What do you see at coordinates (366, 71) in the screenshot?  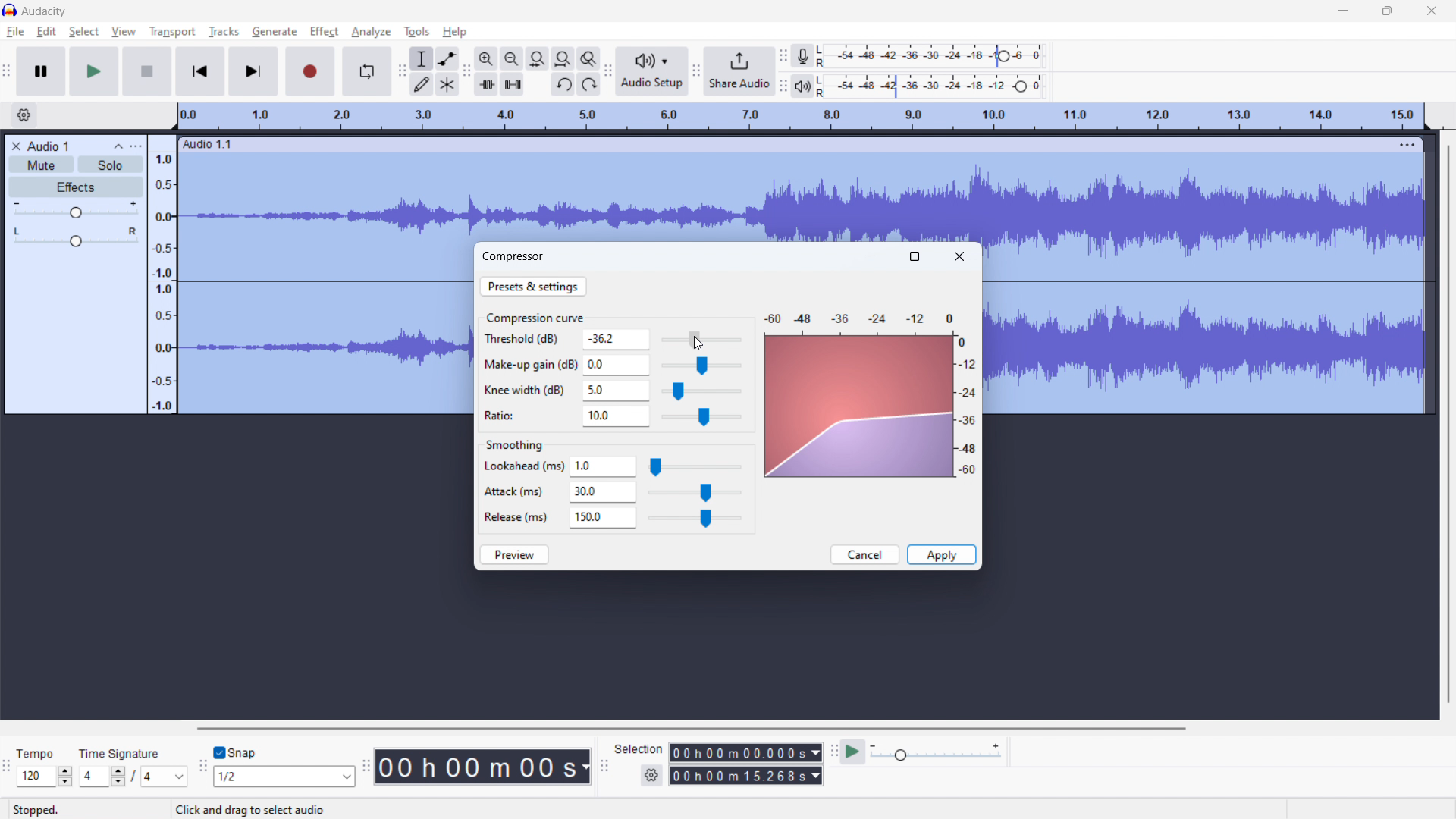 I see `enable looping` at bounding box center [366, 71].